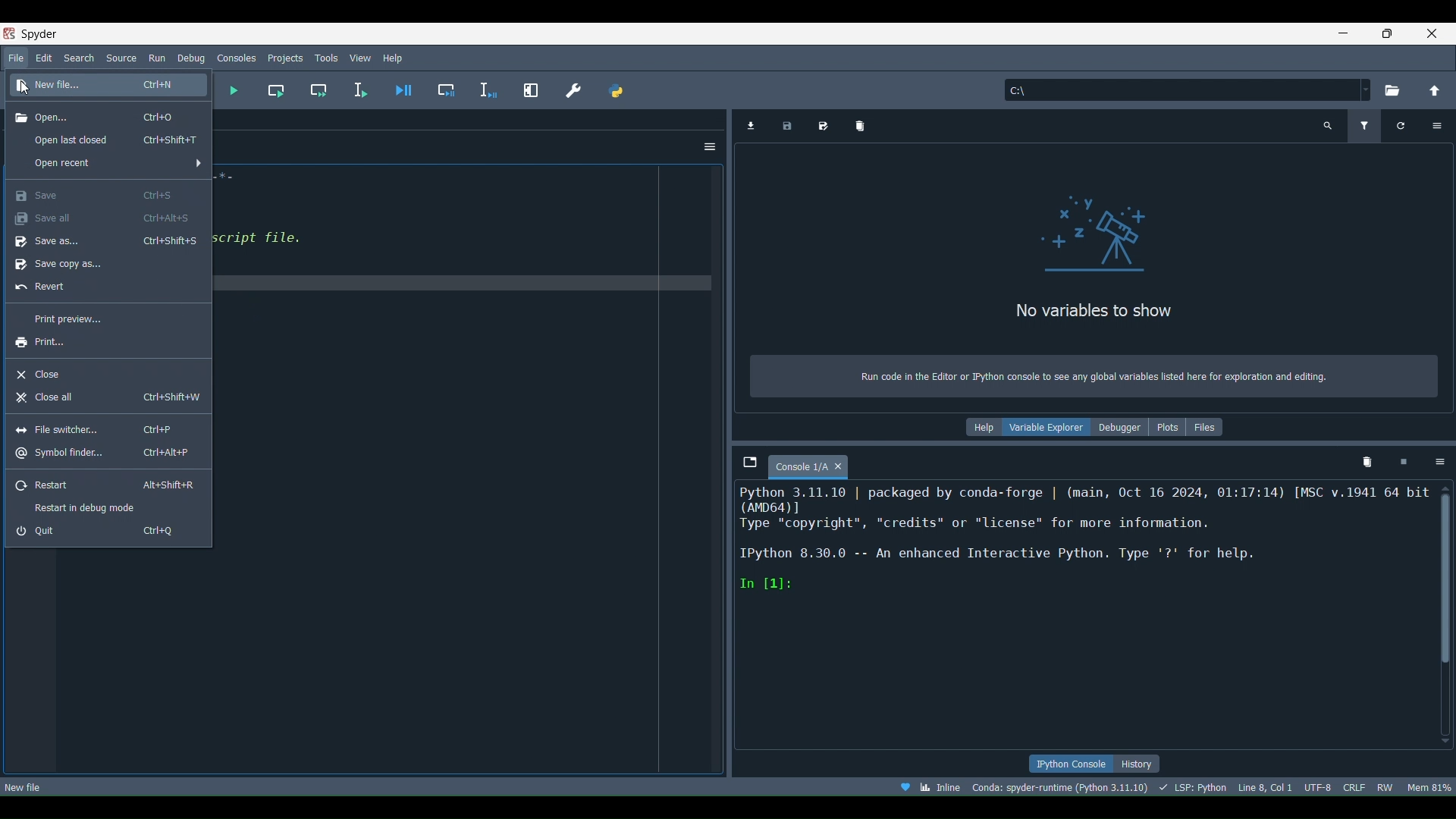 This screenshot has width=1456, height=819. What do you see at coordinates (1071, 764) in the screenshot?
I see `IPython Console` at bounding box center [1071, 764].